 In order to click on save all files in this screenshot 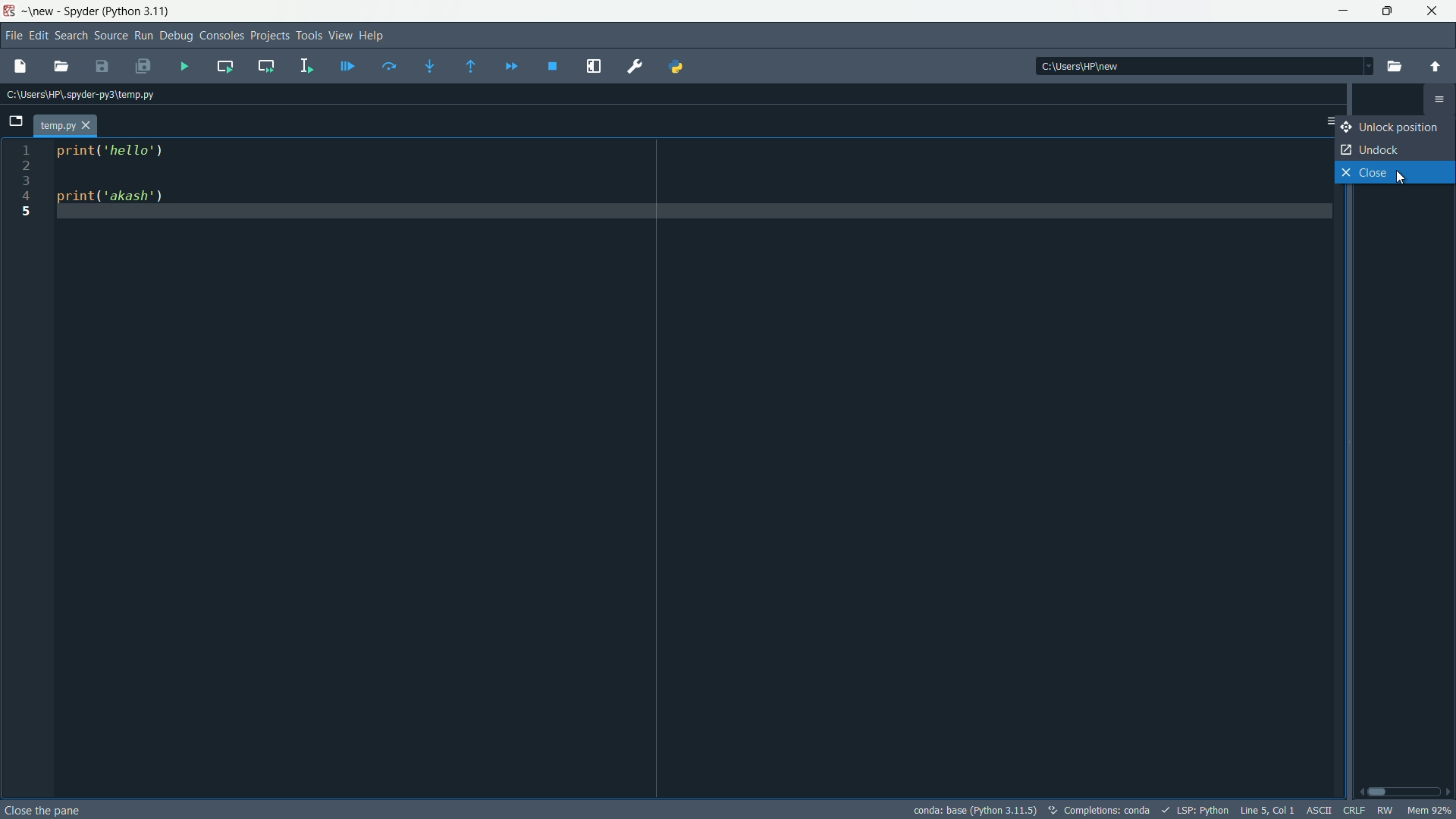, I will do `click(143, 67)`.